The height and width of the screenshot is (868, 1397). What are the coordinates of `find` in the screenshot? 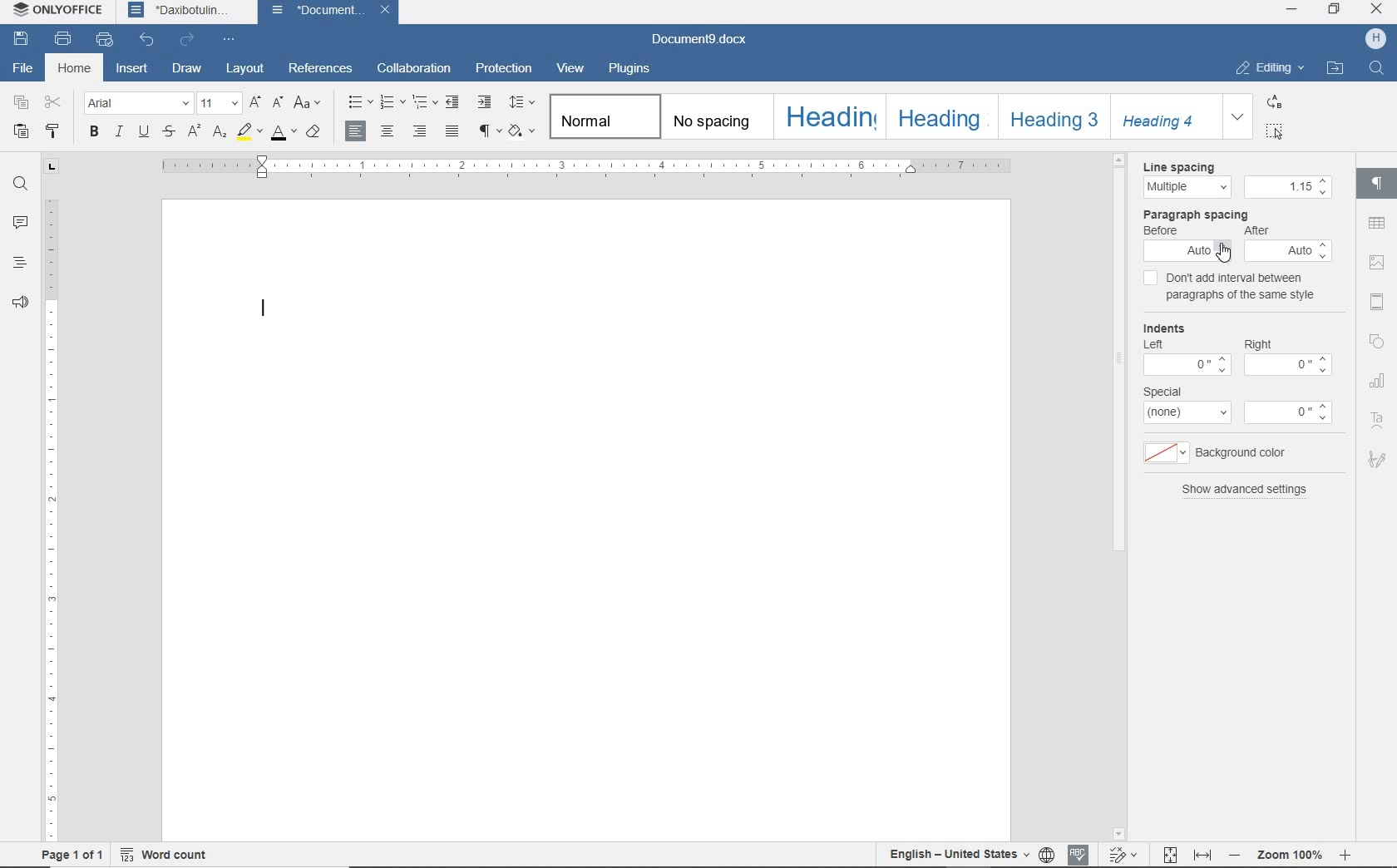 It's located at (20, 185).